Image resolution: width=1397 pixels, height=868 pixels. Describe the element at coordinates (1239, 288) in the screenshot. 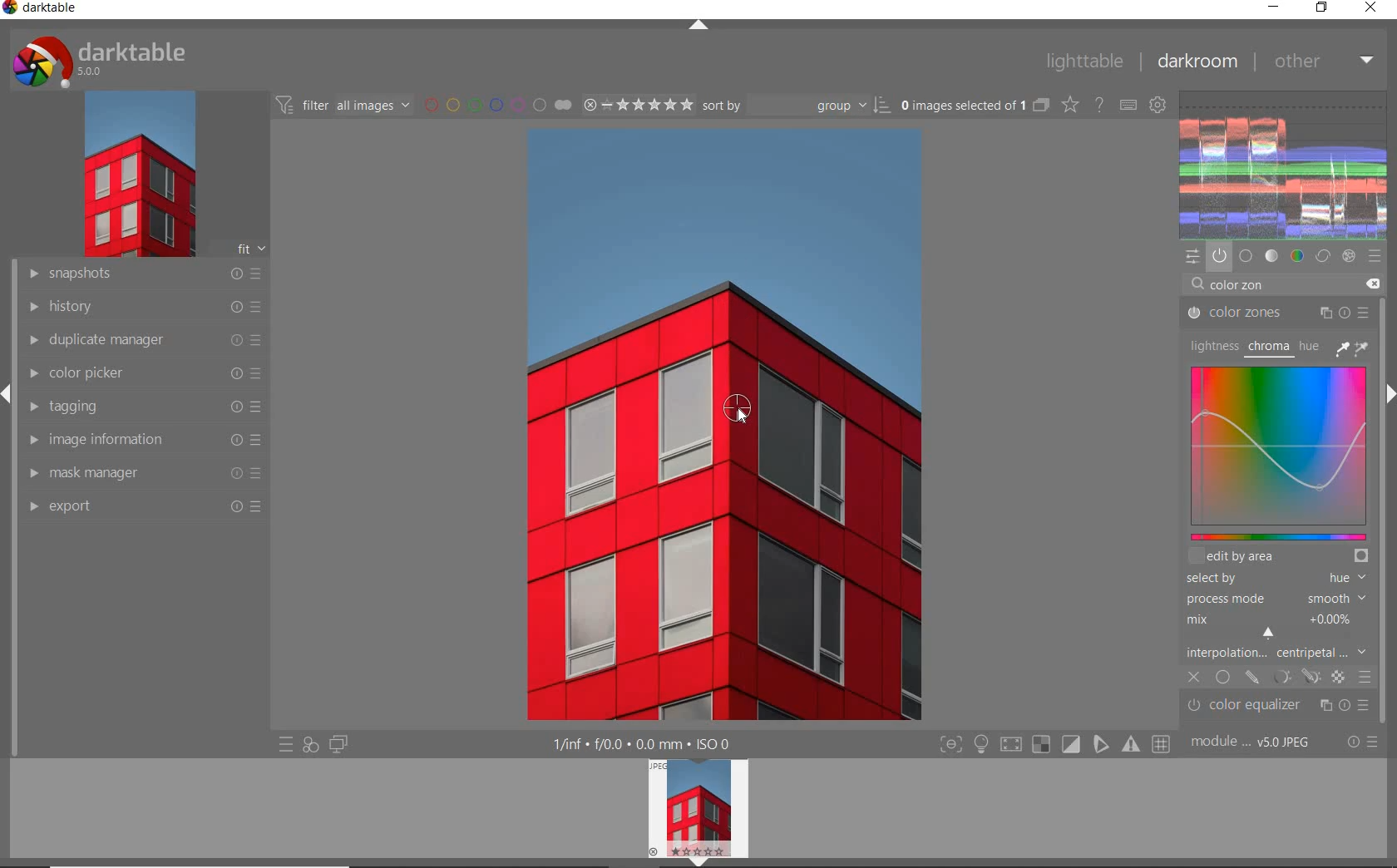

I see `INPUT VALUE` at that location.